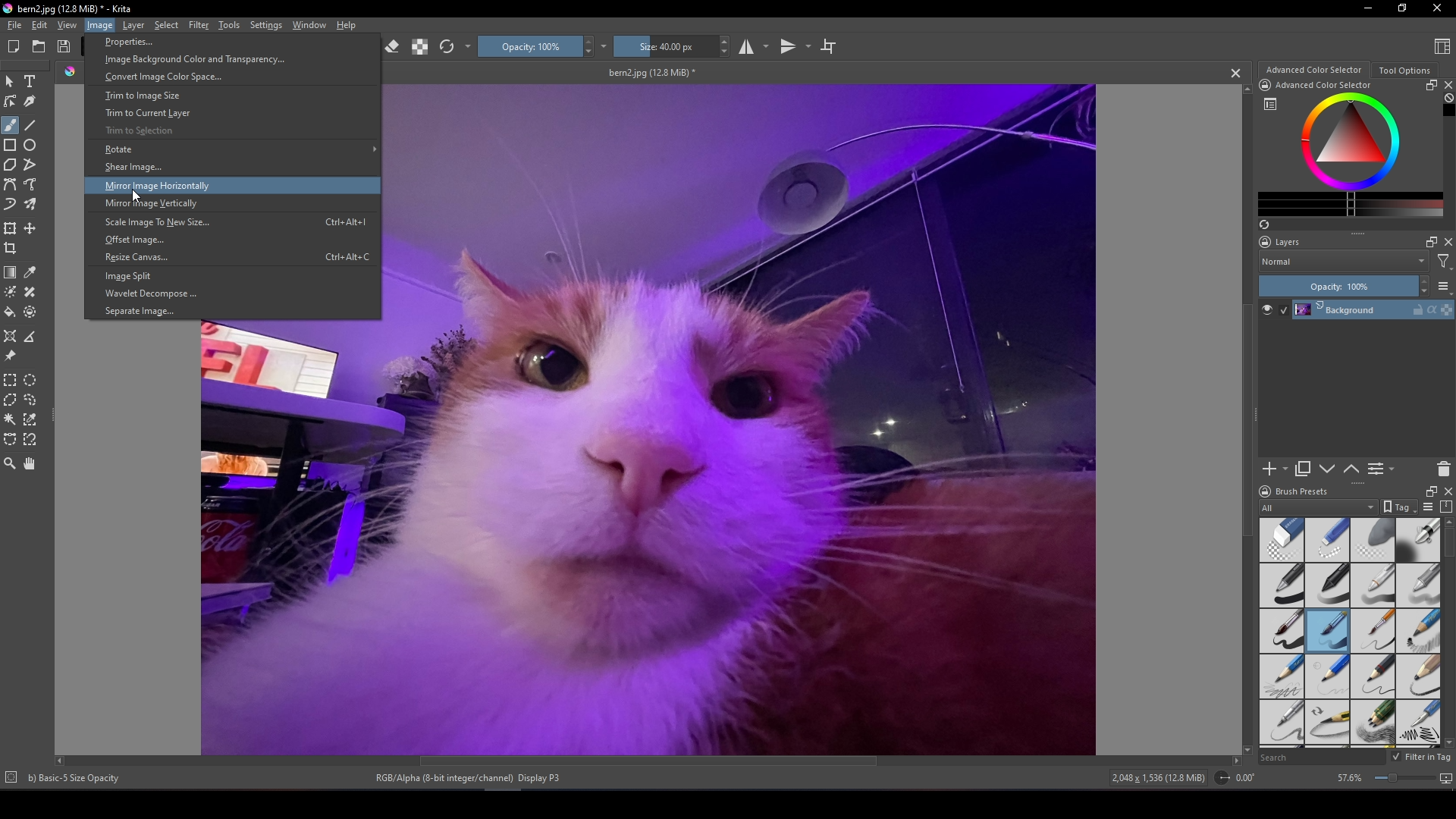 This screenshot has width=1456, height=819. Describe the element at coordinates (11, 419) in the screenshot. I see `Contiguous selection tool` at that location.